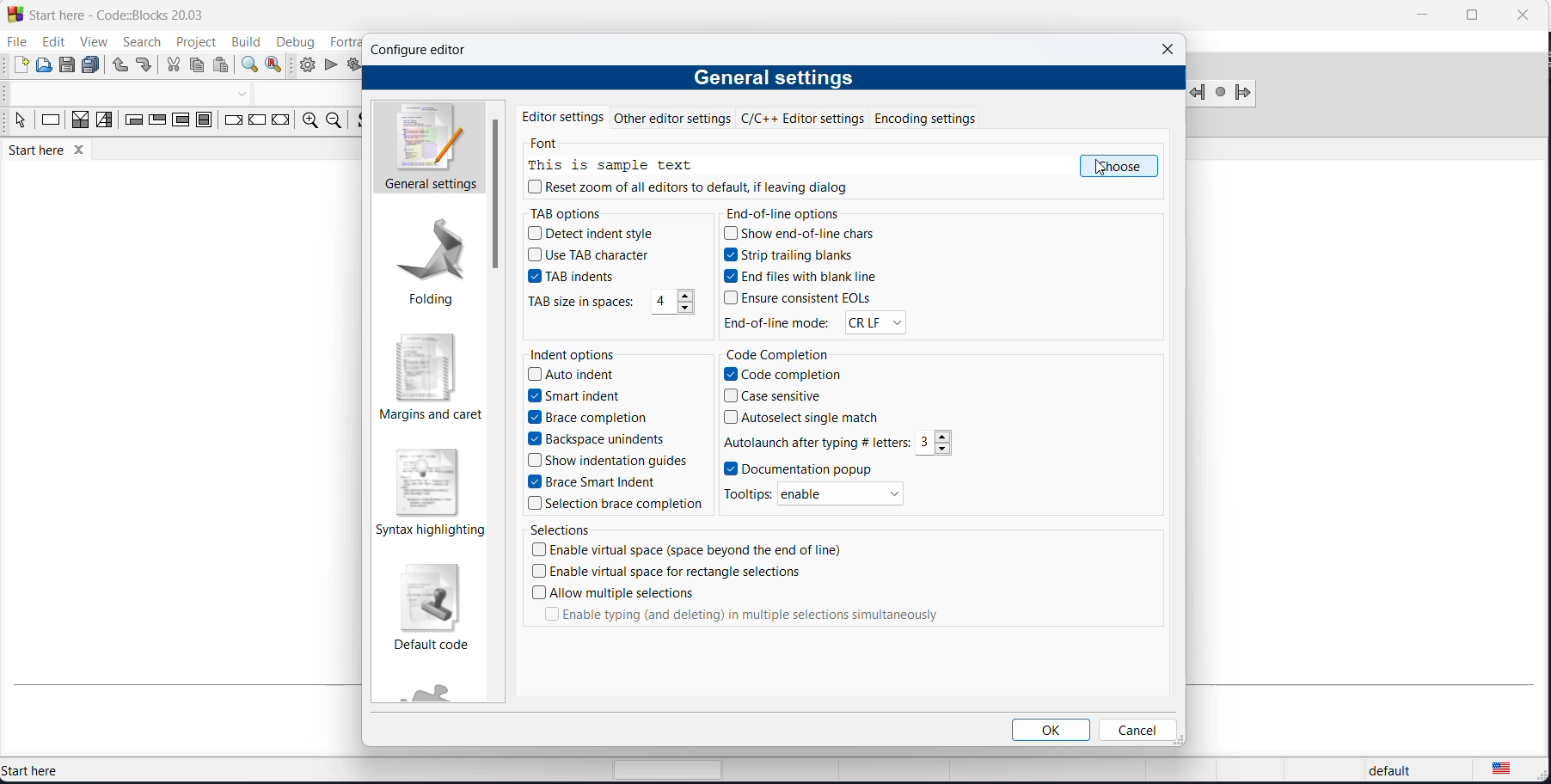 The image size is (1551, 784). I want to click on decrement, so click(945, 449).